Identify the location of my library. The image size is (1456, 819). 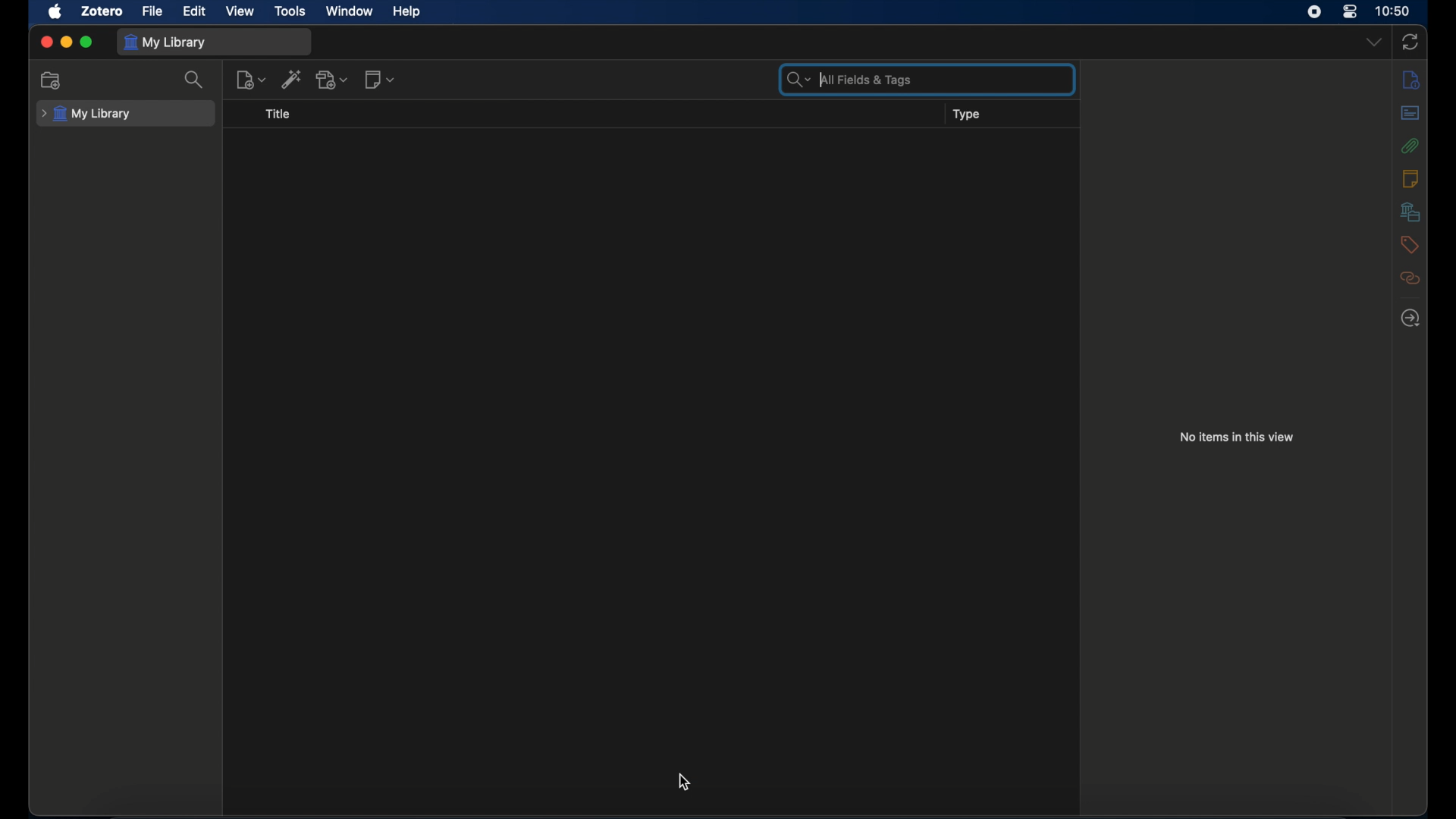
(86, 114).